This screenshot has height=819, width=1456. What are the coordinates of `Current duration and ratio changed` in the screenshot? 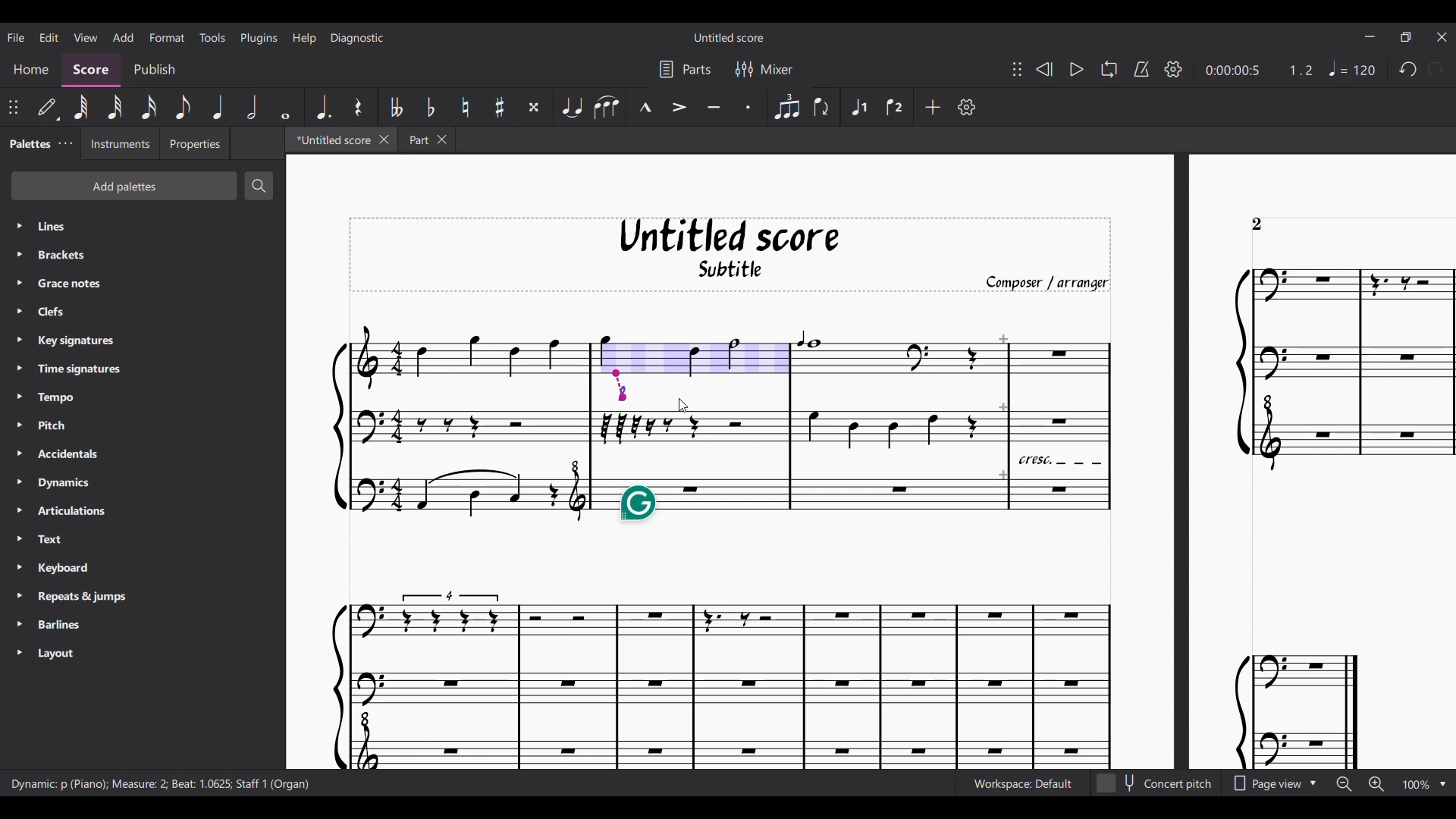 It's located at (1260, 71).